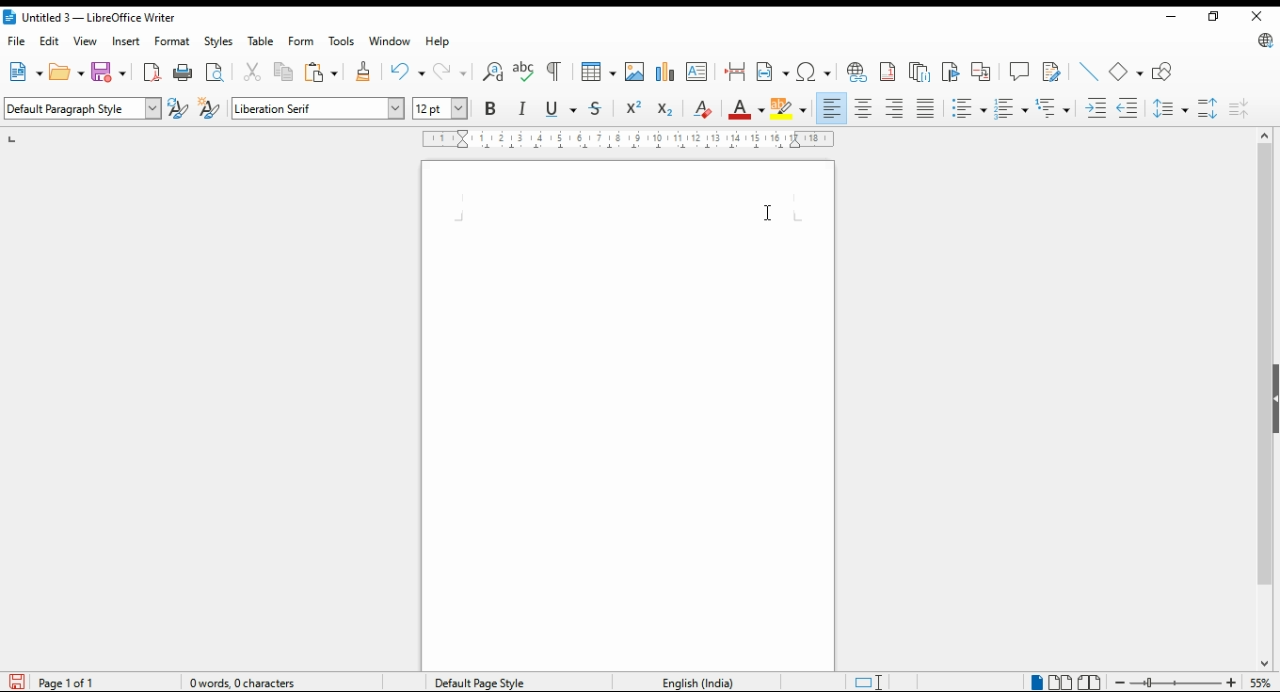 The width and height of the screenshot is (1280, 692). What do you see at coordinates (1173, 682) in the screenshot?
I see `zoom in/zoom out slider` at bounding box center [1173, 682].